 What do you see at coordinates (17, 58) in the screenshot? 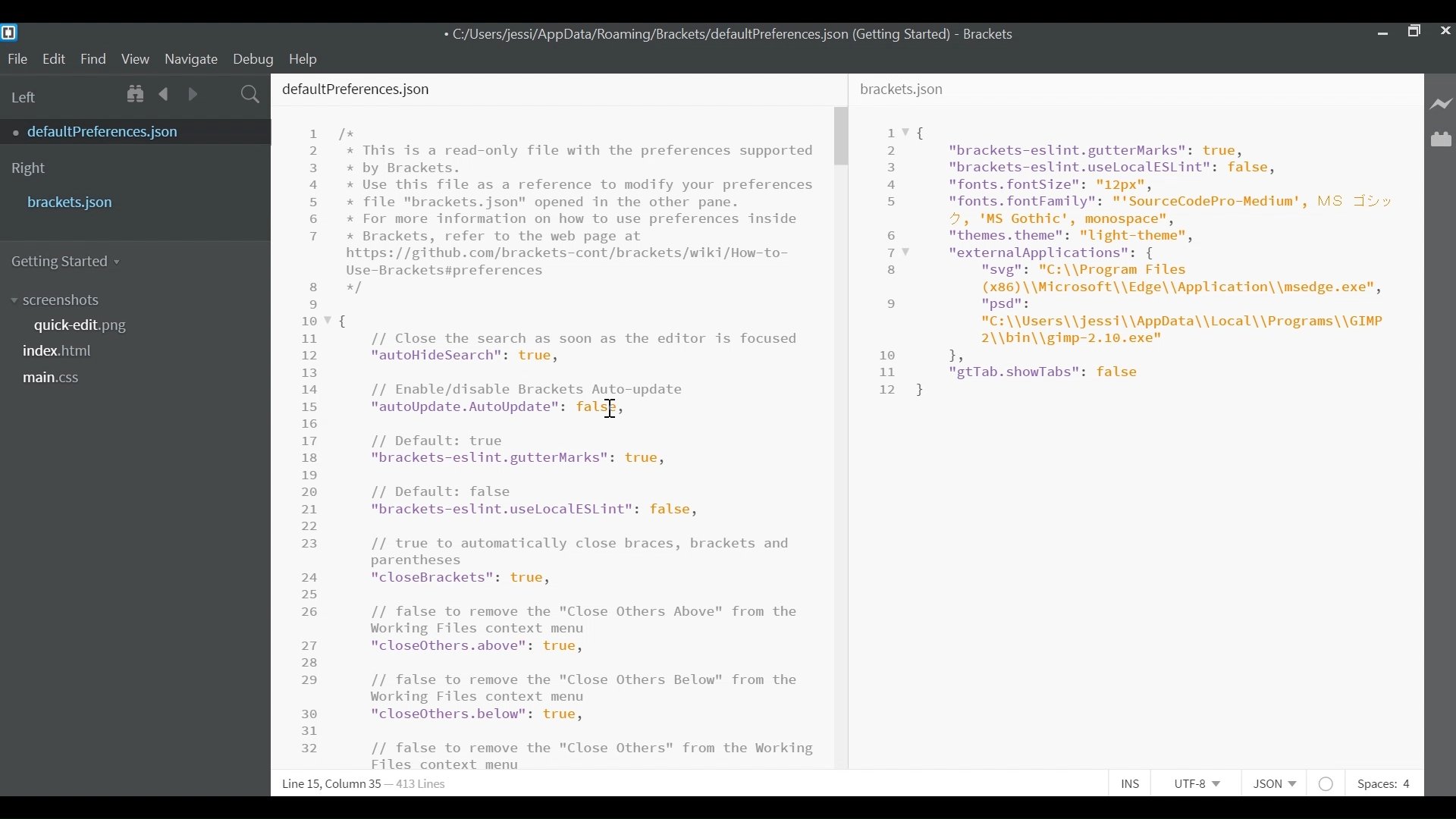
I see `File` at bounding box center [17, 58].